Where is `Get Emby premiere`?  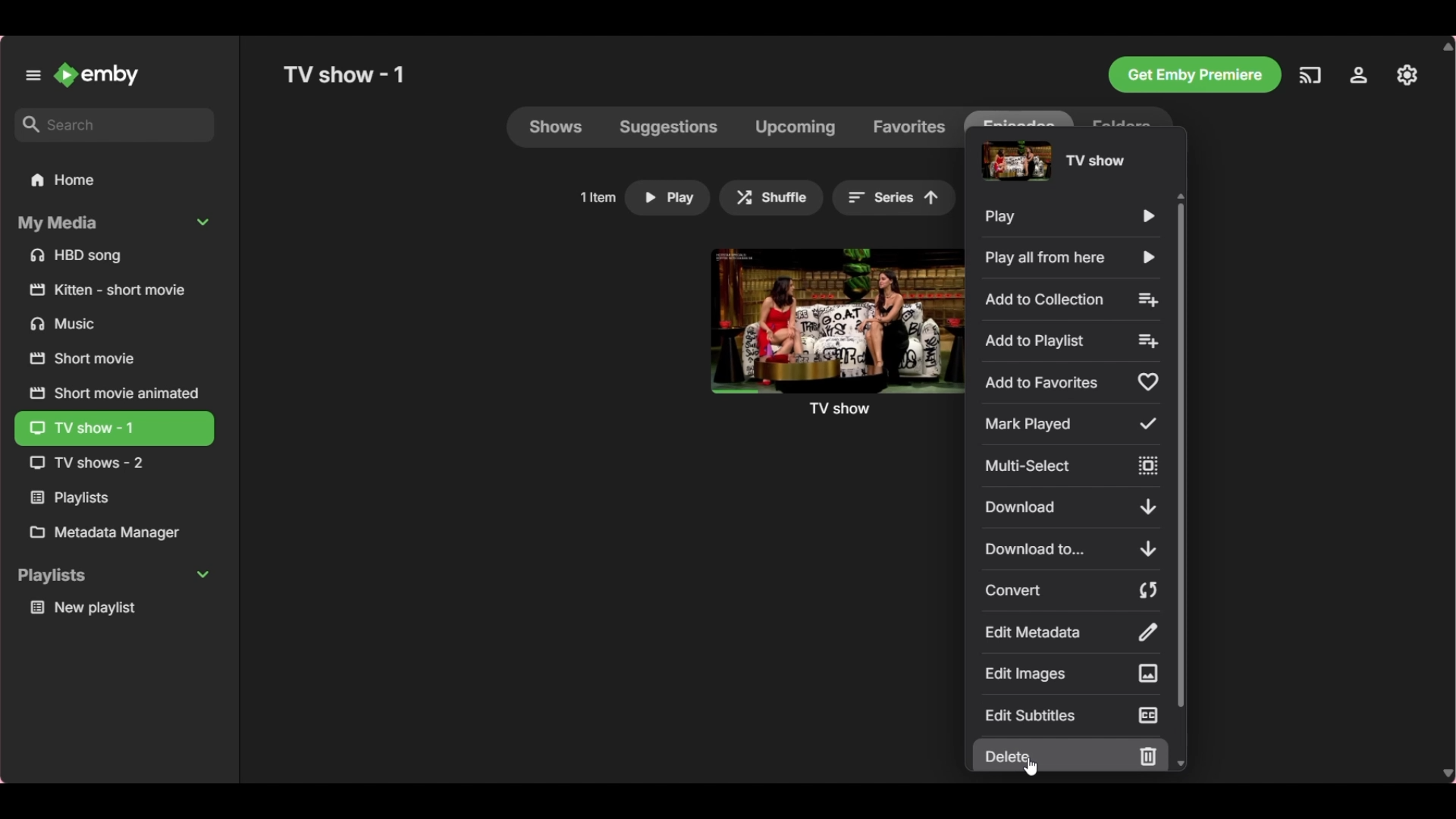 Get Emby premiere is located at coordinates (1194, 75).